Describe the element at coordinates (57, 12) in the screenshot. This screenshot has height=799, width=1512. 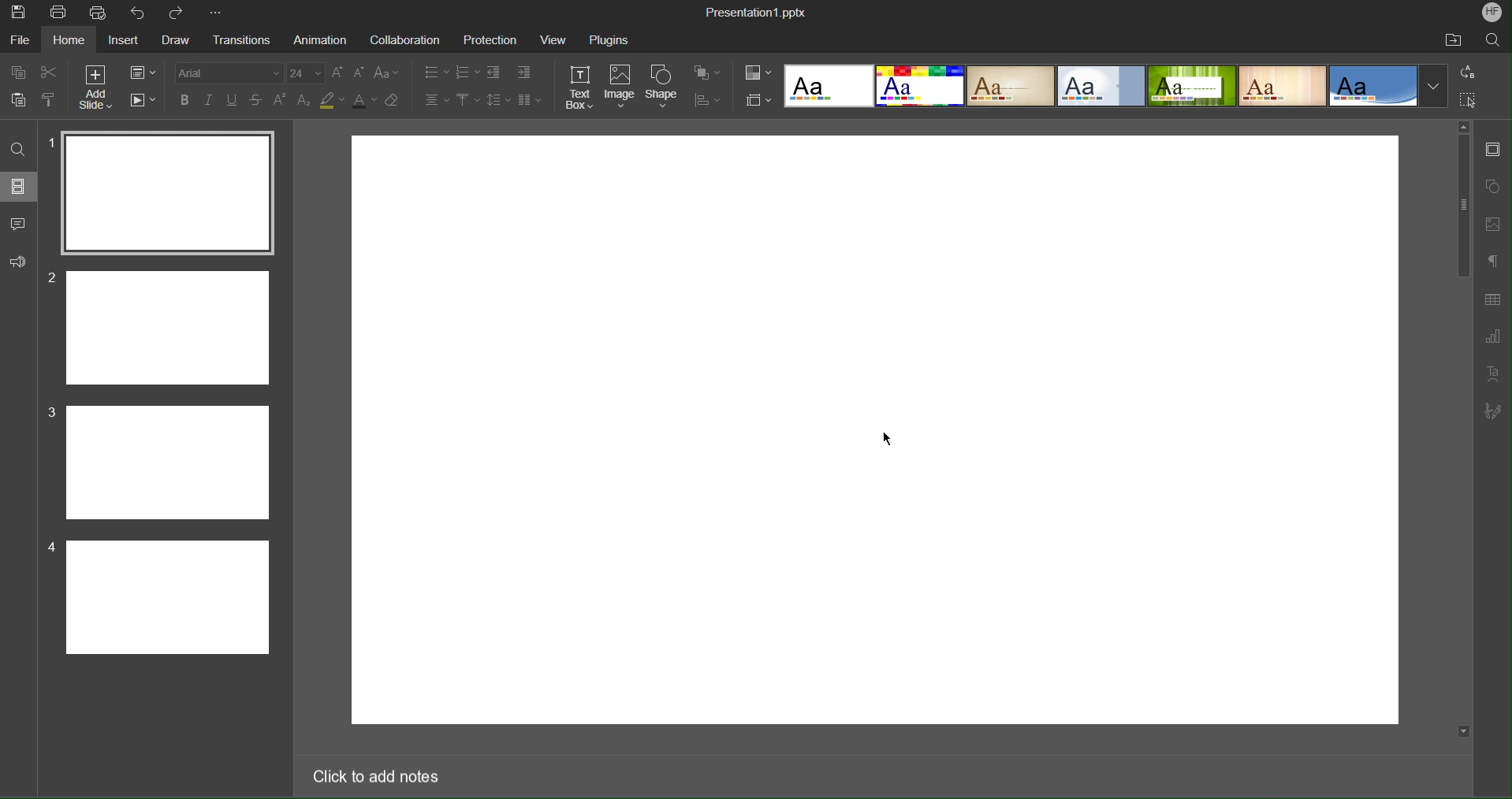
I see `Print` at that location.